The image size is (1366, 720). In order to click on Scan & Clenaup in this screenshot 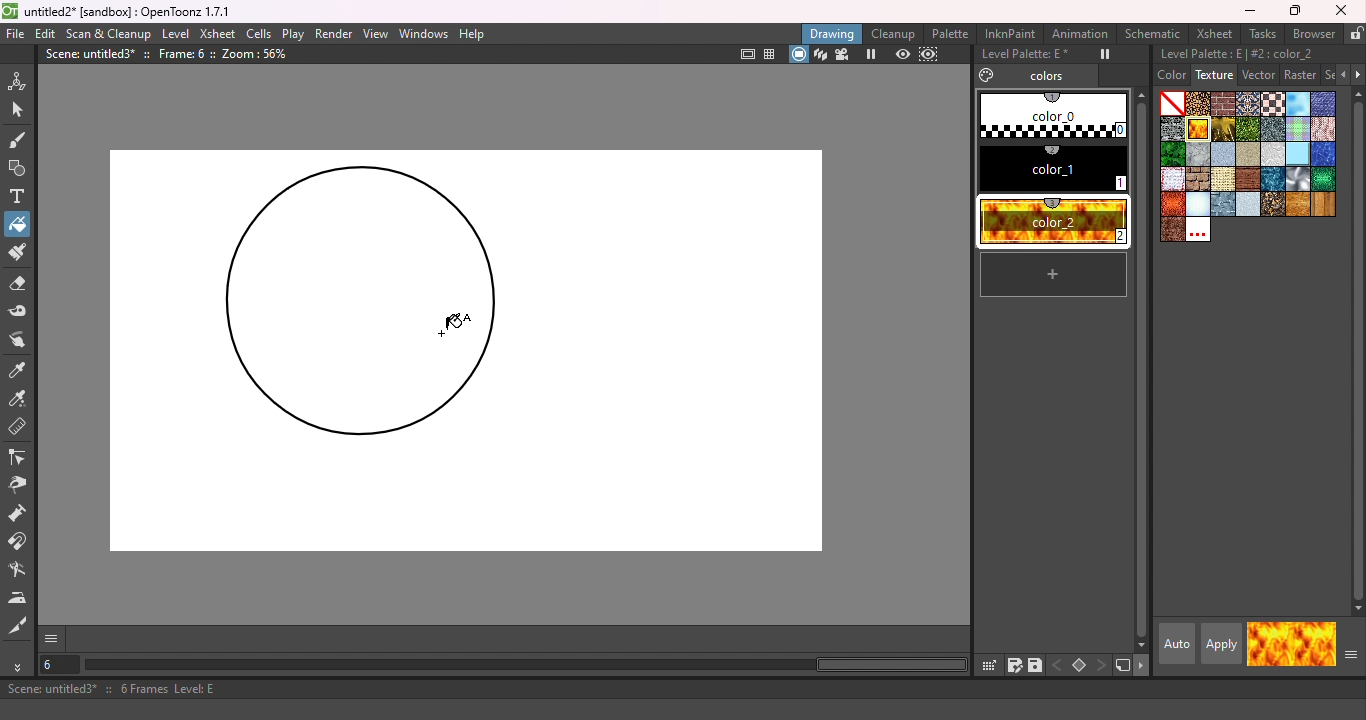, I will do `click(110, 34)`.